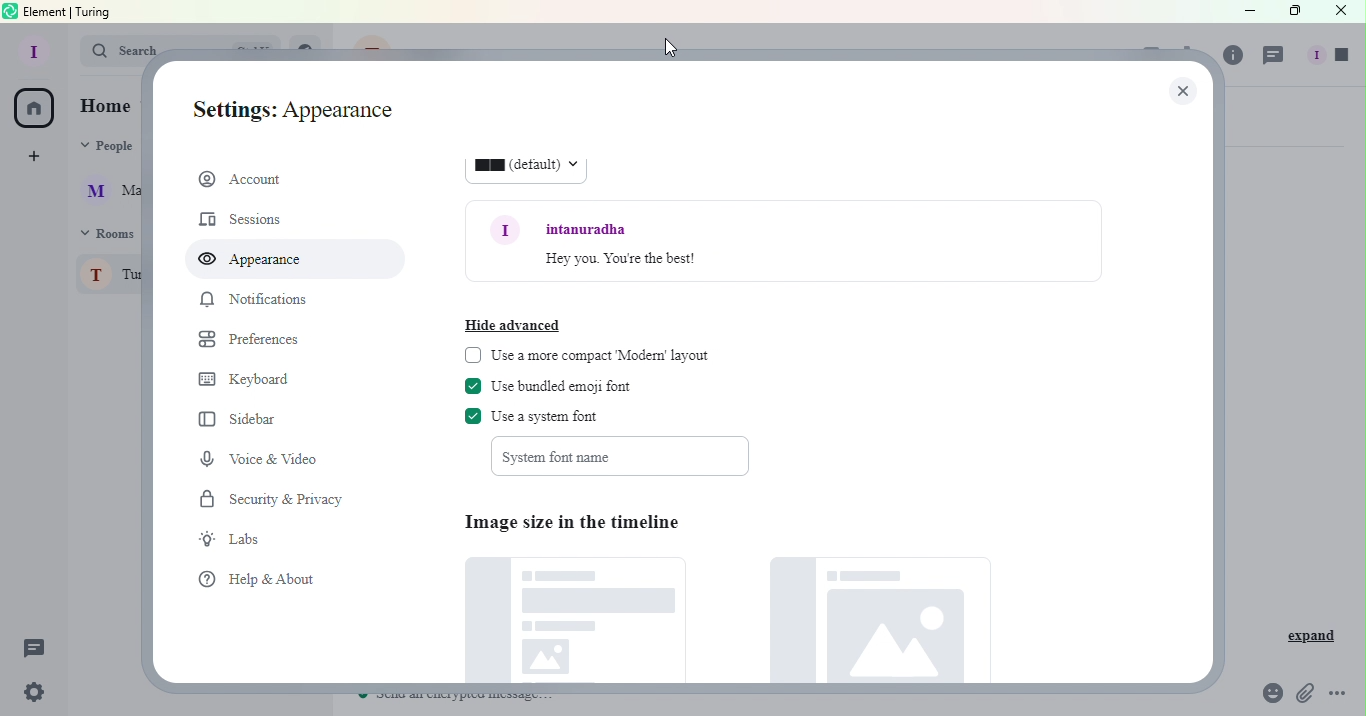  What do you see at coordinates (34, 645) in the screenshot?
I see `Threads` at bounding box center [34, 645].